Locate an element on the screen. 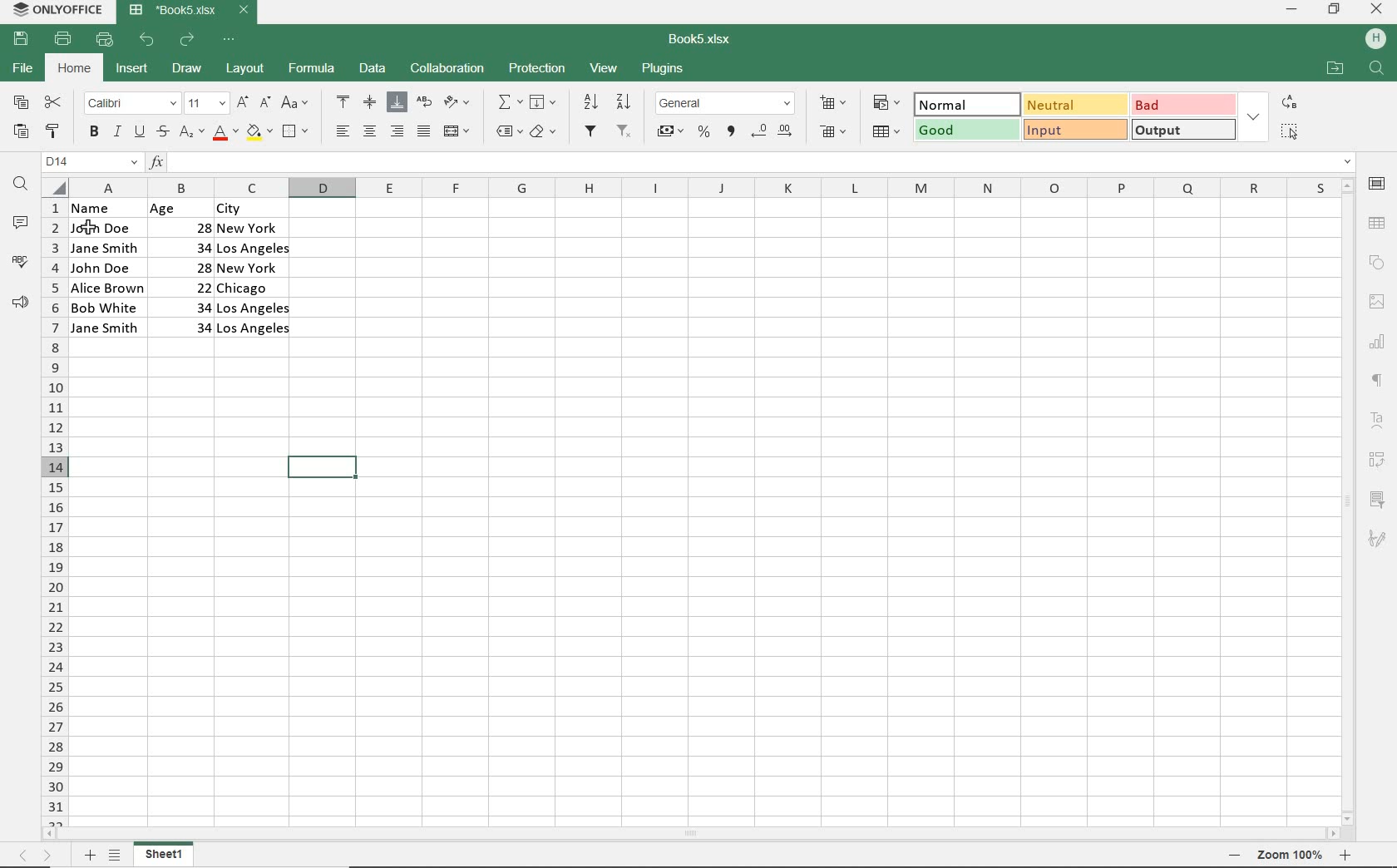 The width and height of the screenshot is (1397, 868). INSERT is located at coordinates (132, 71).